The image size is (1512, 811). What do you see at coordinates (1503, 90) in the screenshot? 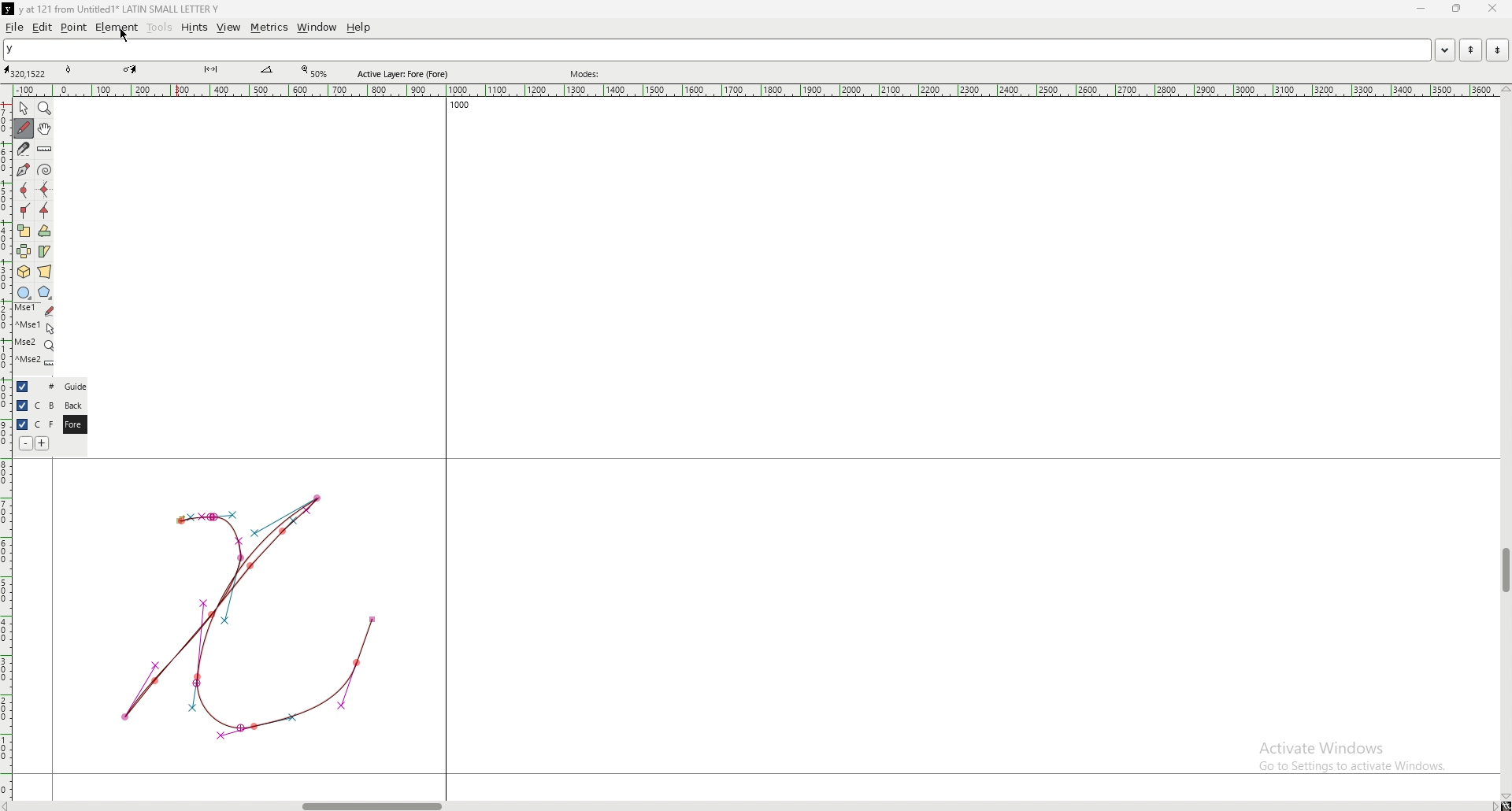
I see `scroll up` at bounding box center [1503, 90].